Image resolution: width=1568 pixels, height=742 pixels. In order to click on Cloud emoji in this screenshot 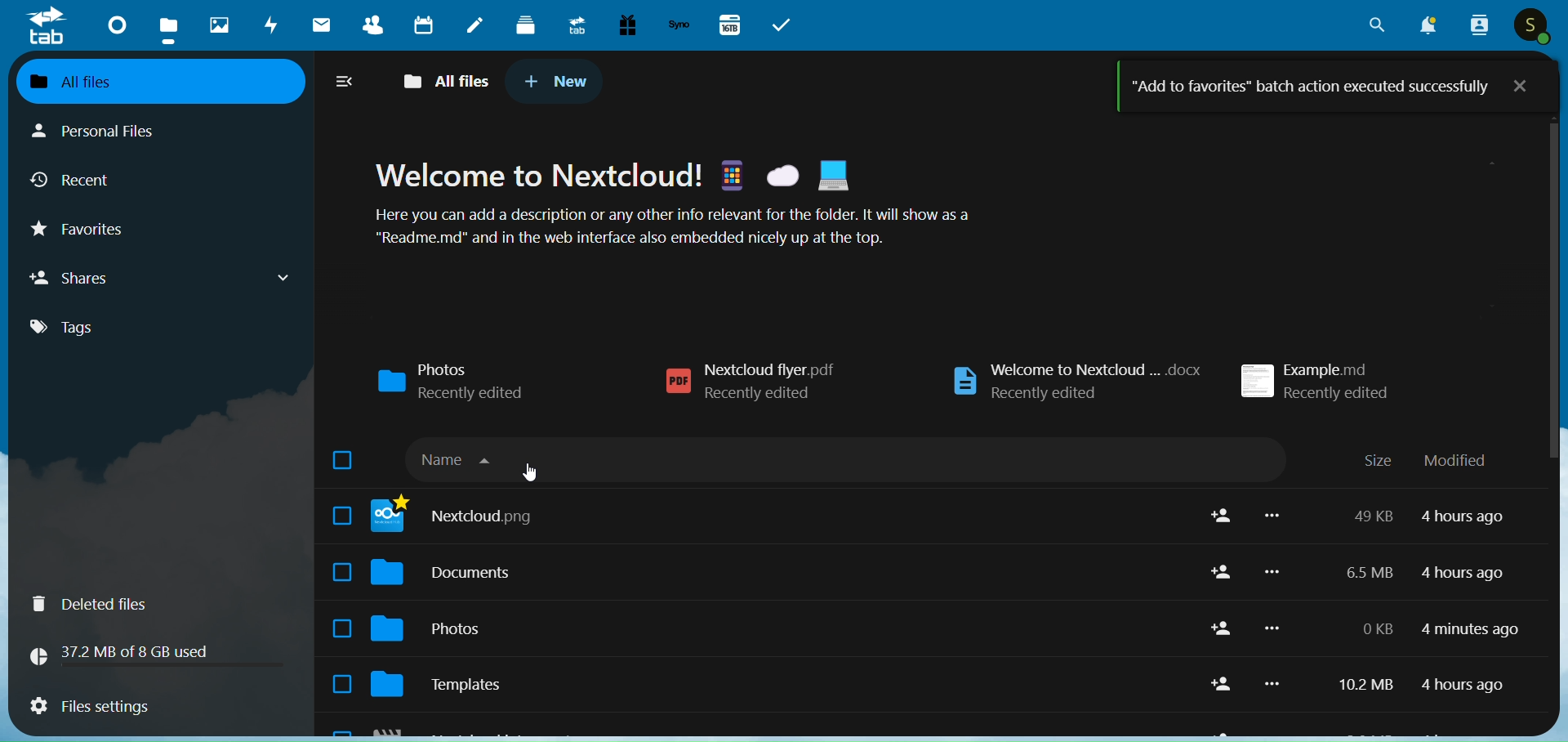, I will do `click(782, 176)`.